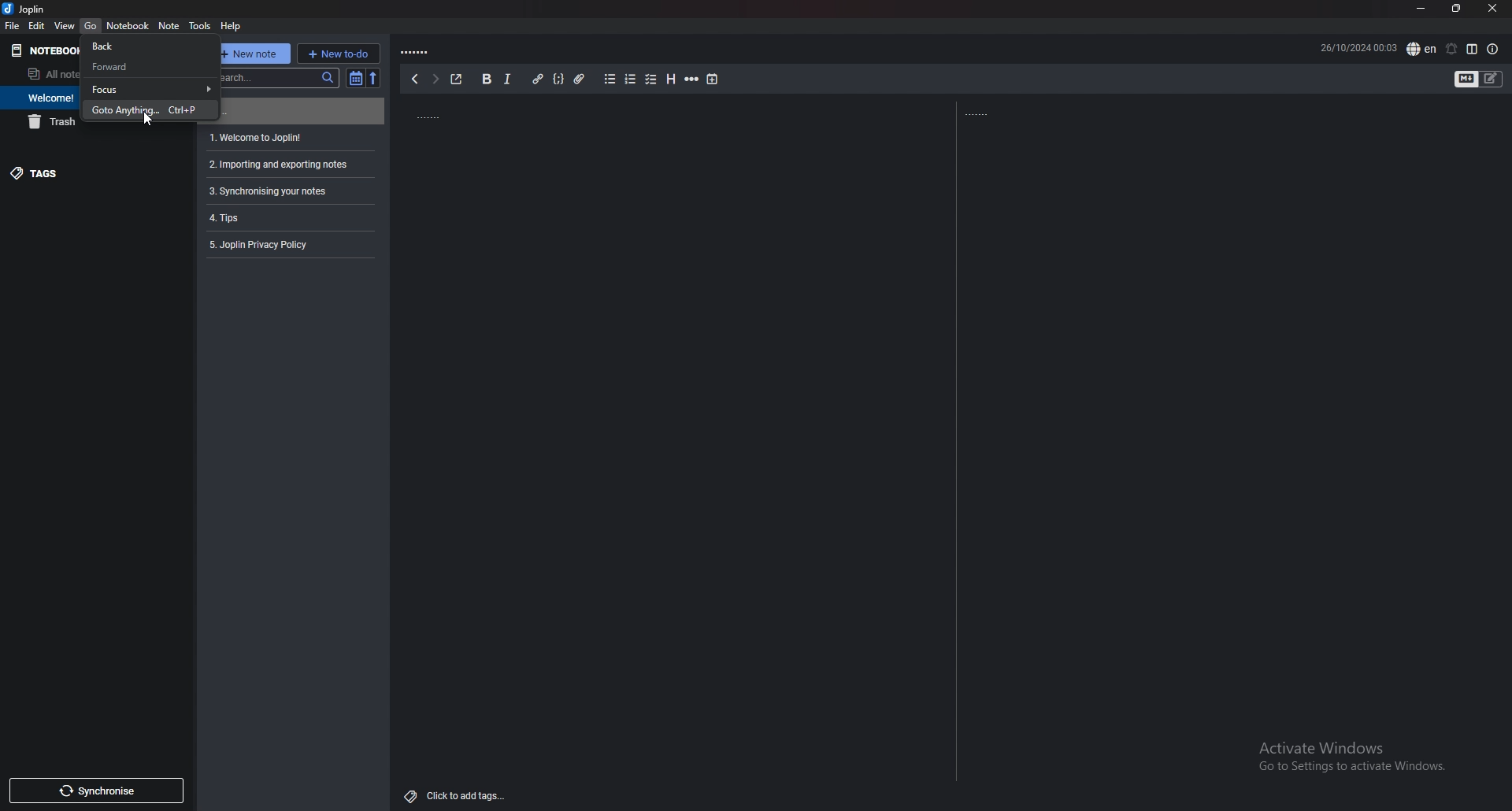 The height and width of the screenshot is (811, 1512). I want to click on notebook, so click(128, 25).